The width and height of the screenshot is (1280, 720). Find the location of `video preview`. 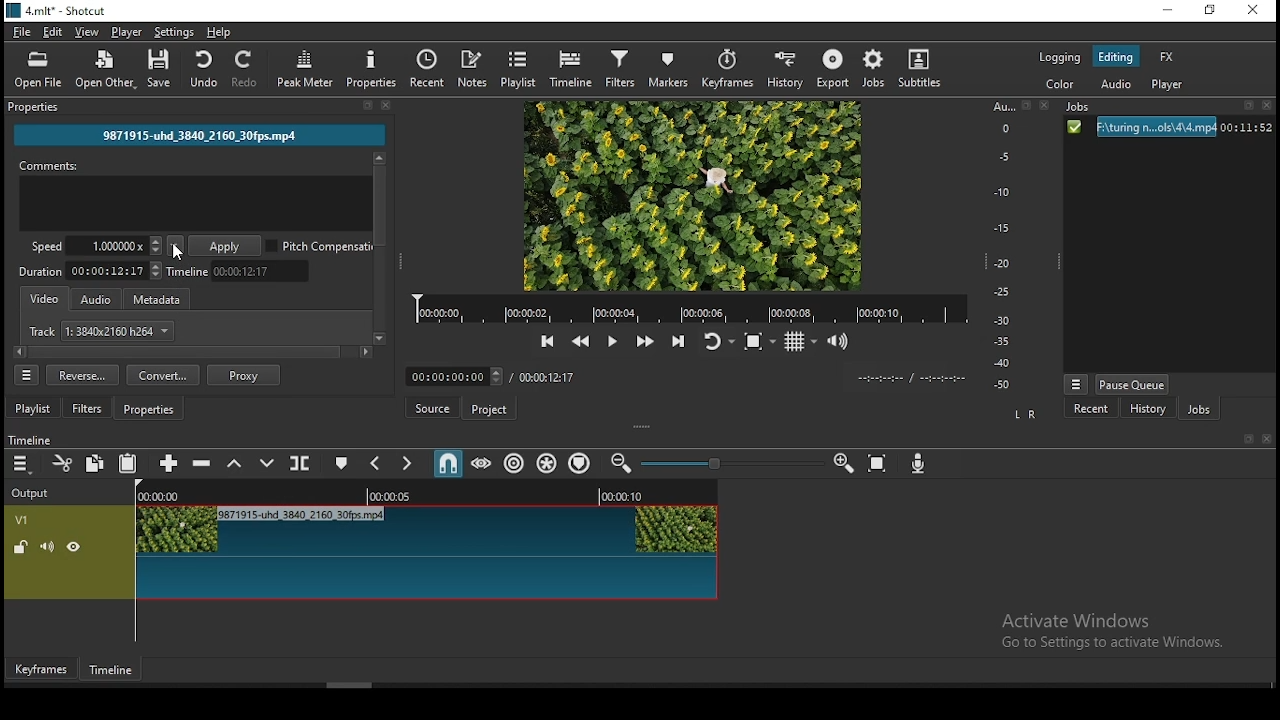

video preview is located at coordinates (690, 196).